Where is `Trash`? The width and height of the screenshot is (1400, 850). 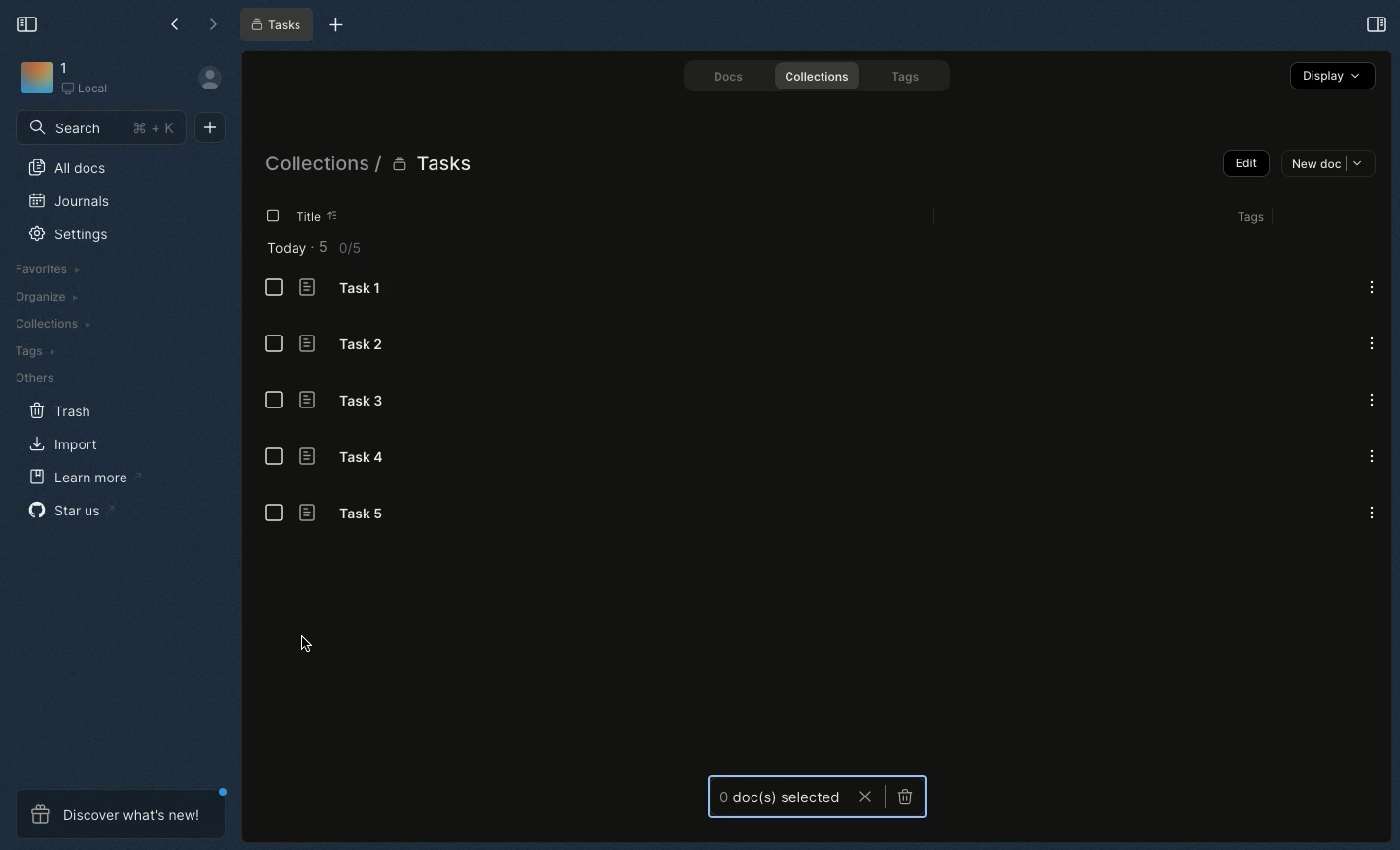 Trash is located at coordinates (61, 409).